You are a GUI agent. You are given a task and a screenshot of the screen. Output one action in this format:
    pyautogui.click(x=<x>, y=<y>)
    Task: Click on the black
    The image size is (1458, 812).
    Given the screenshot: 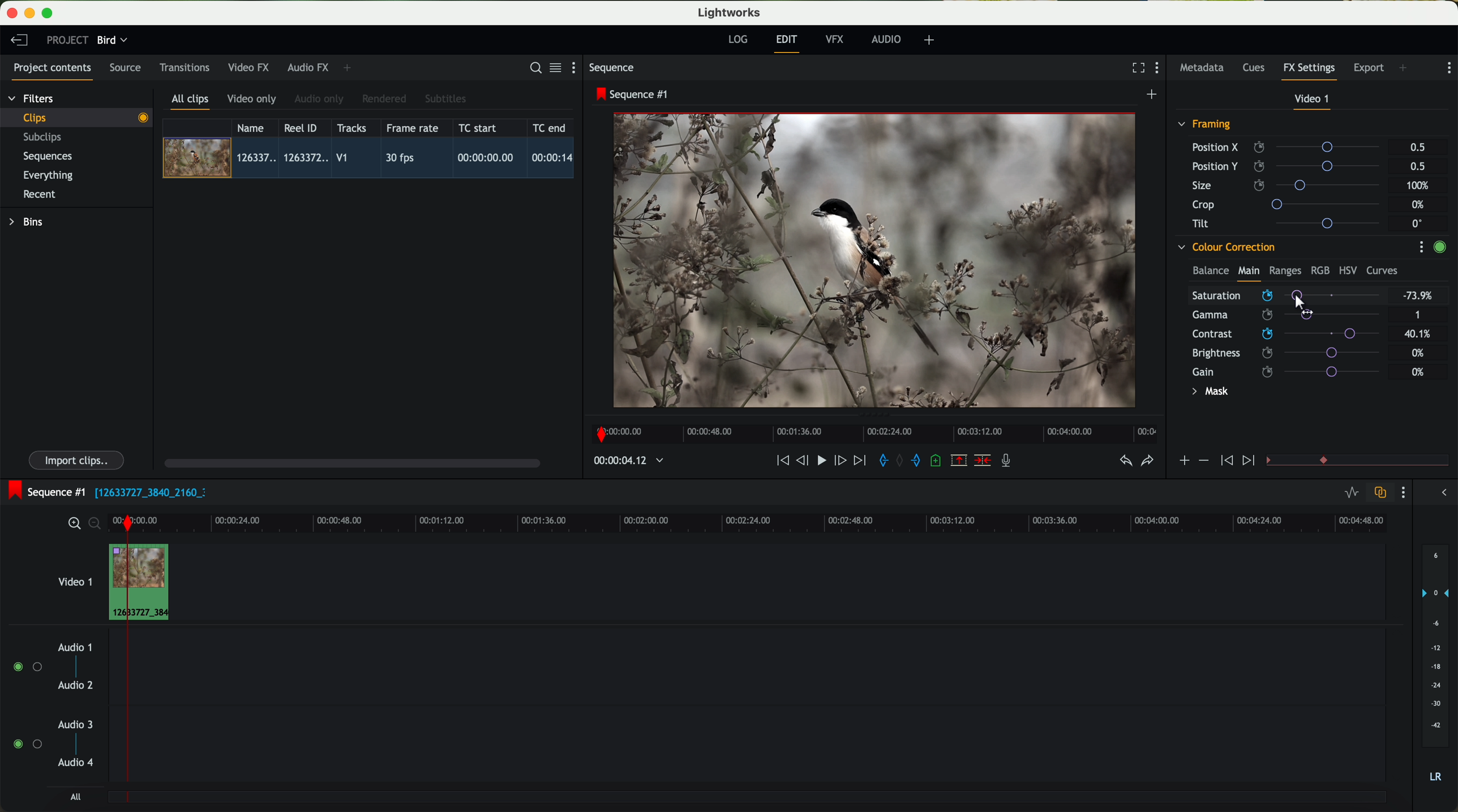 What is the action you would take?
    pyautogui.click(x=146, y=491)
    